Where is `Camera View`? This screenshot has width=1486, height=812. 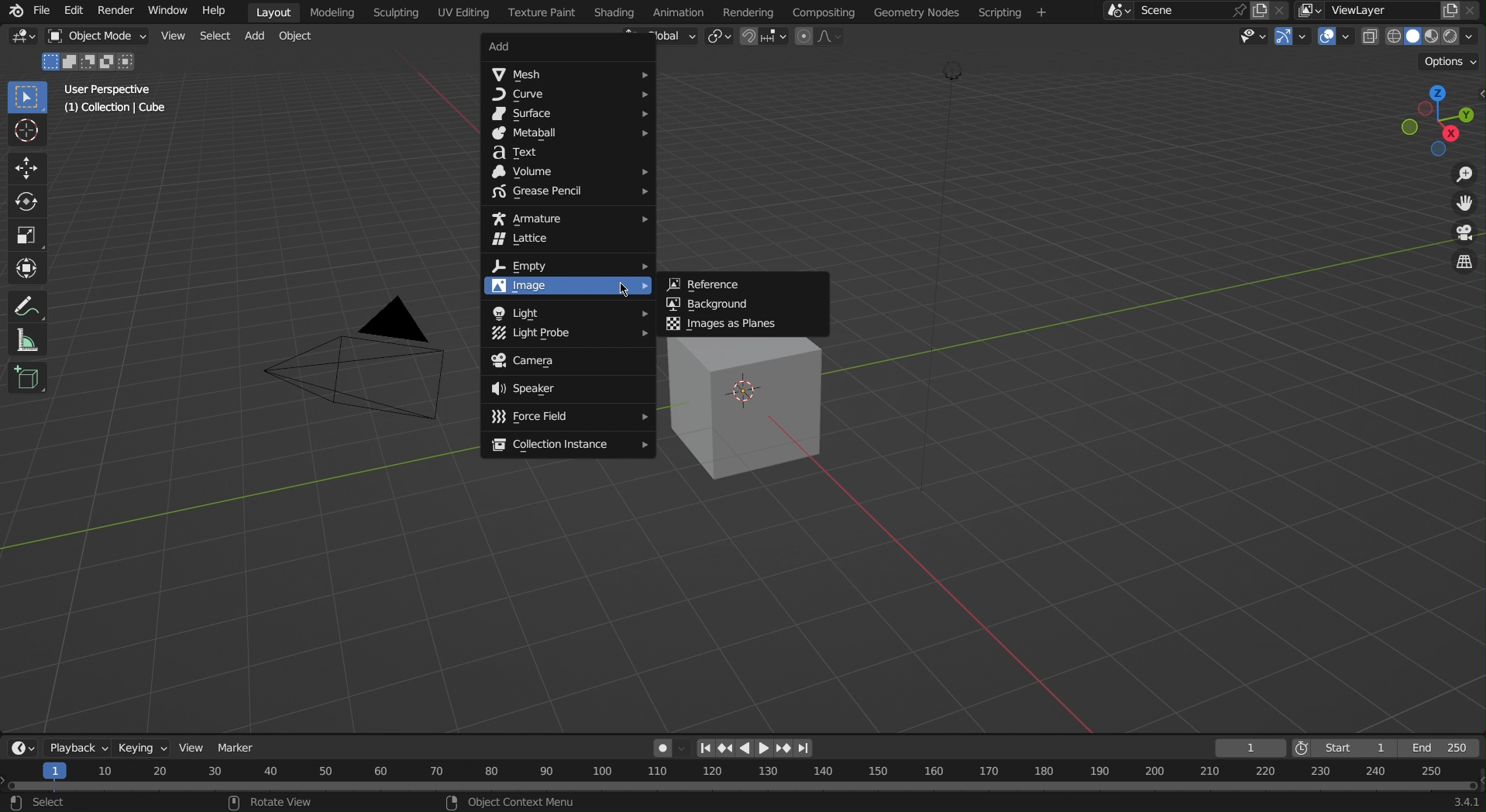
Camera View is located at coordinates (1464, 232).